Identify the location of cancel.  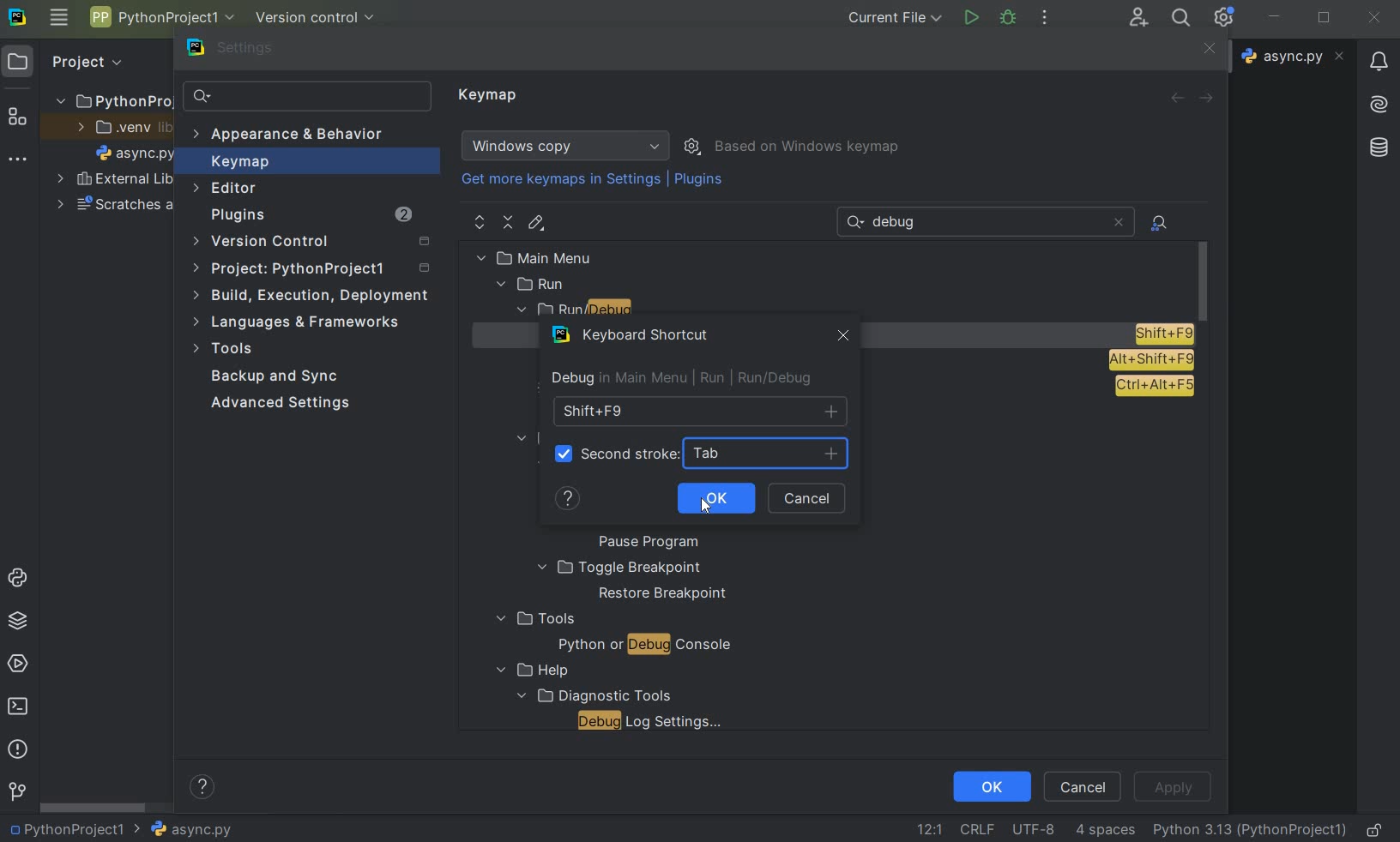
(1083, 785).